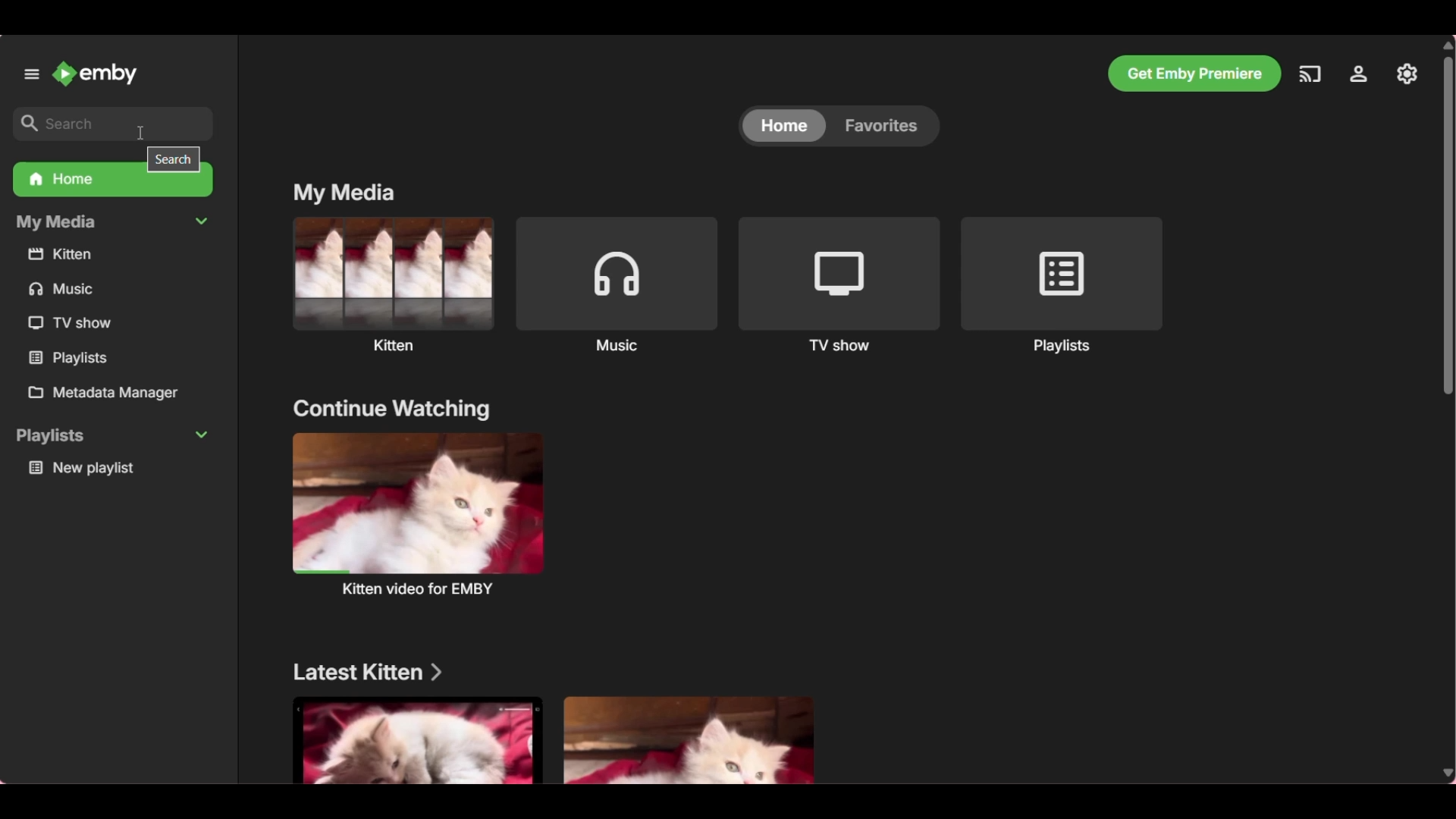  I want to click on Media files under above mentioned section, so click(414, 739).